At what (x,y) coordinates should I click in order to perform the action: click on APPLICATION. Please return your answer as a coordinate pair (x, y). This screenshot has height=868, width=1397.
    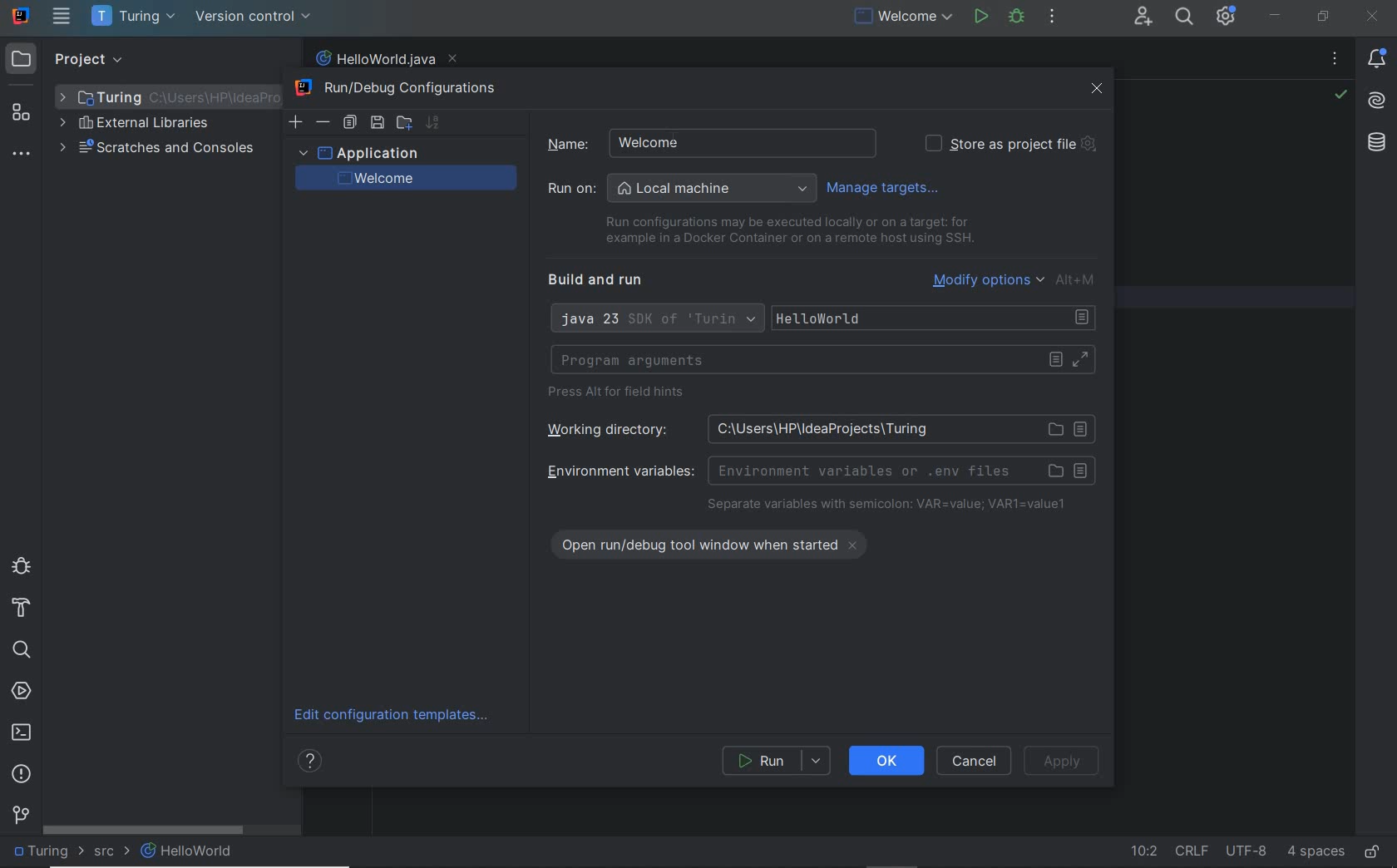
    Looking at the image, I should click on (358, 152).